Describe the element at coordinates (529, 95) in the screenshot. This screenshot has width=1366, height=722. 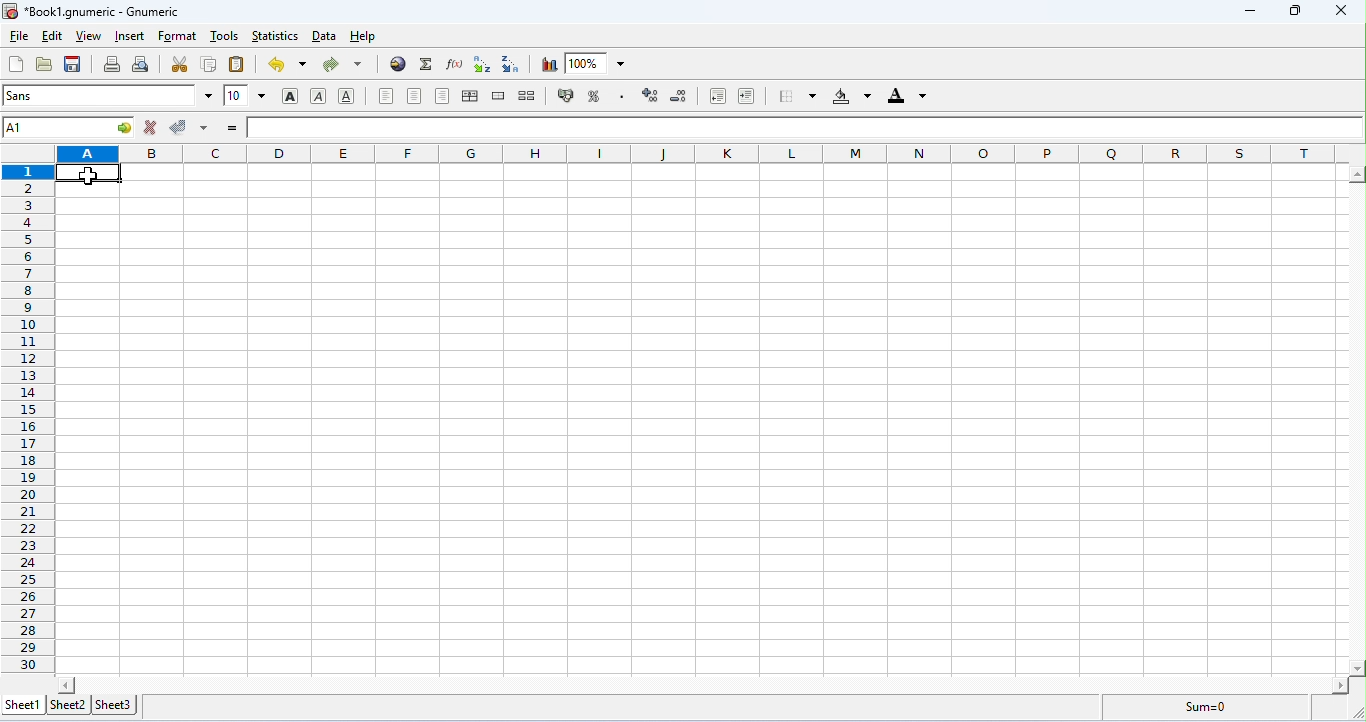
I see `split cells` at that location.